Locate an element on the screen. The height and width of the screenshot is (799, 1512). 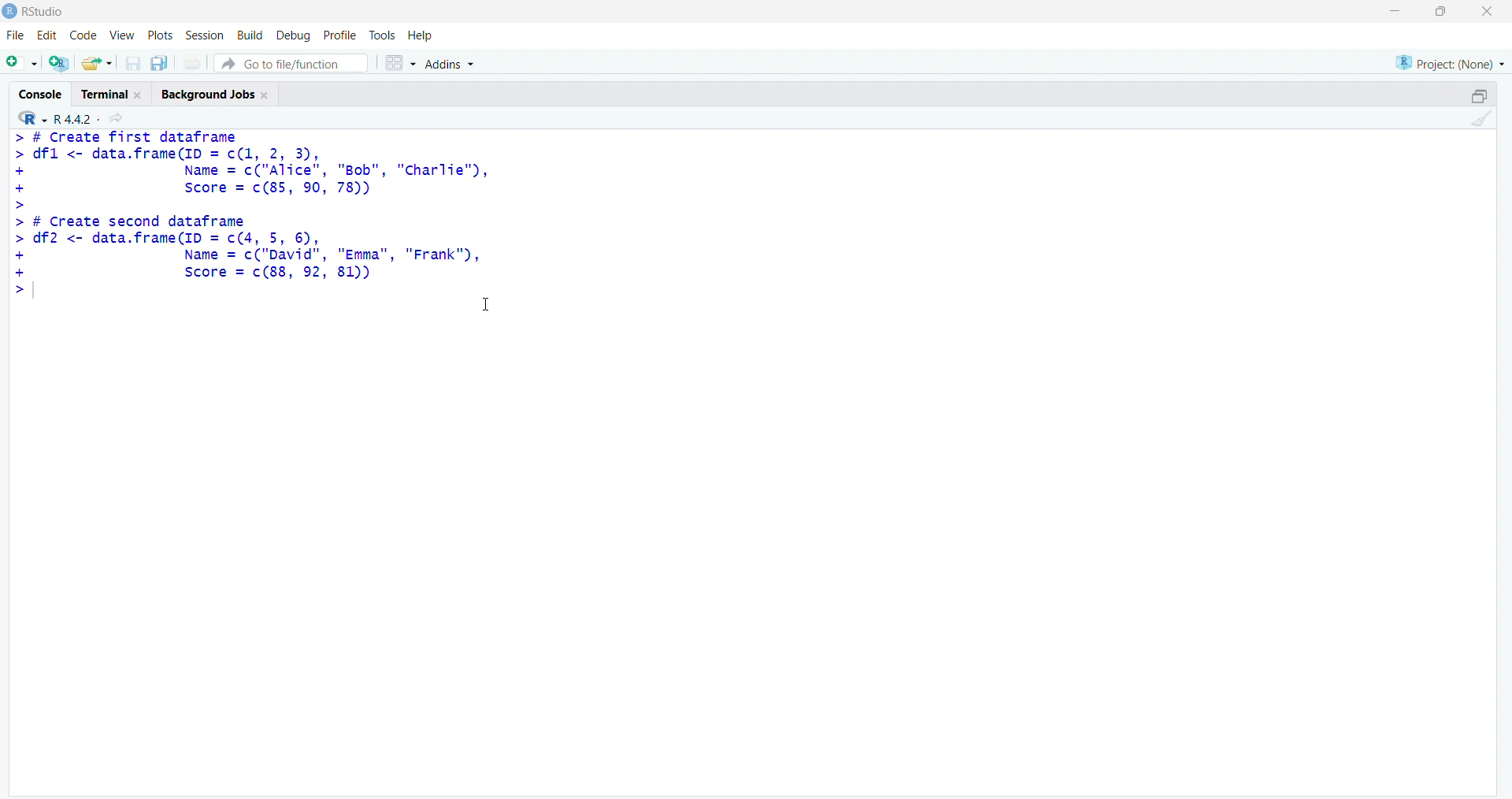
workspace panes is located at coordinates (399, 62).